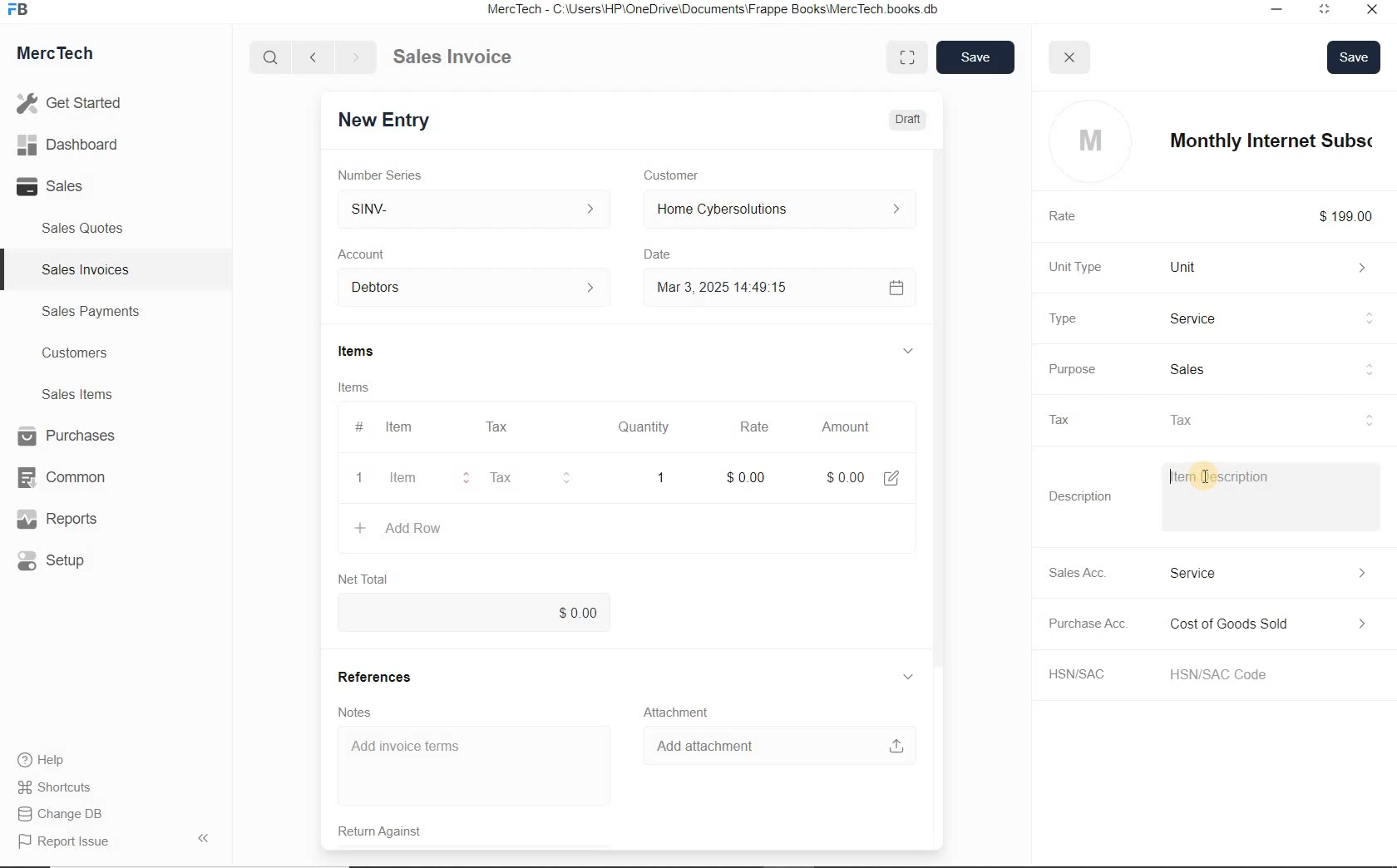 The width and height of the screenshot is (1397, 868). I want to click on SINV-, so click(474, 209).